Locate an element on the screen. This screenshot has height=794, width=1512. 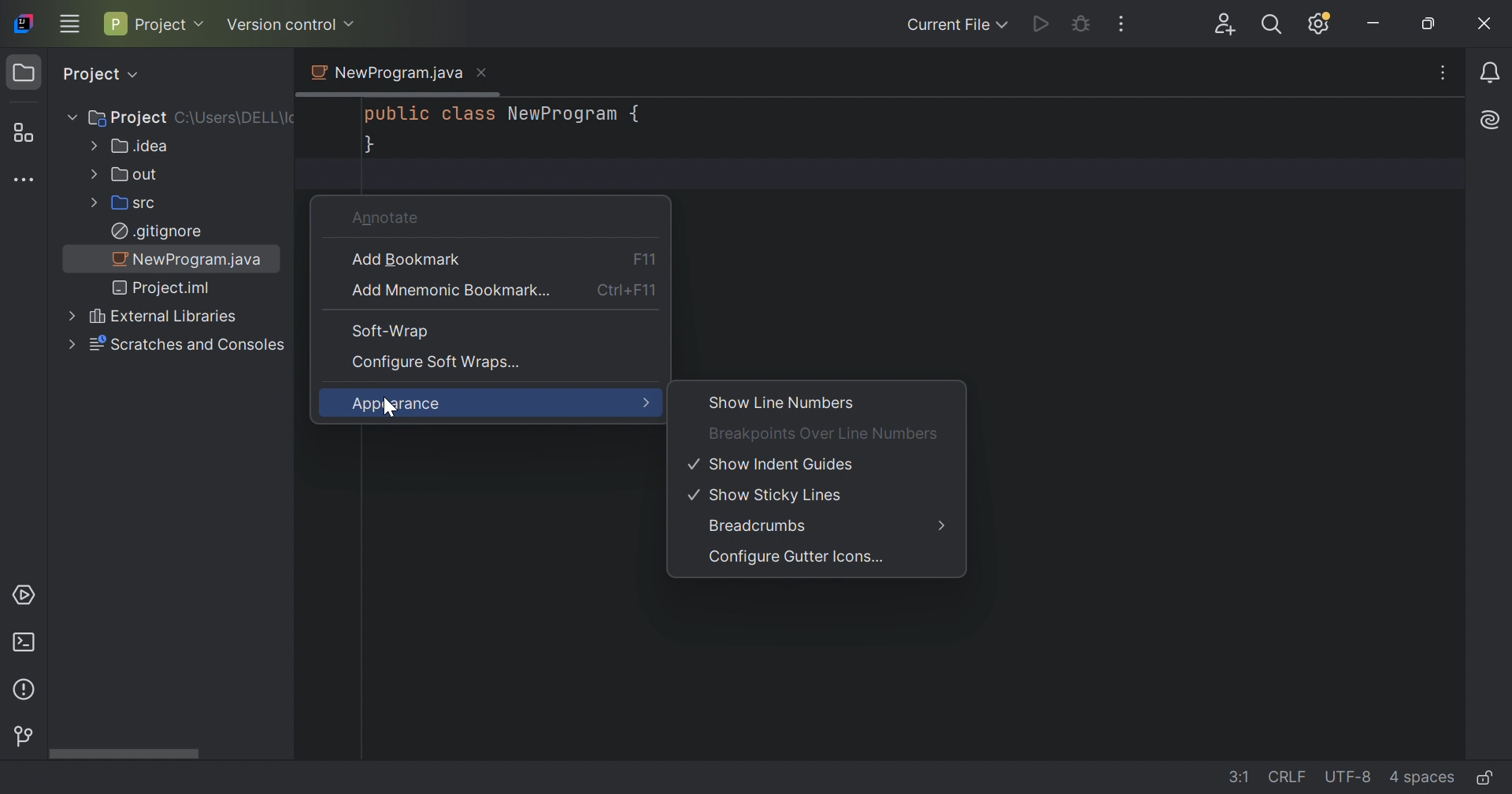
Project is located at coordinates (128, 117).